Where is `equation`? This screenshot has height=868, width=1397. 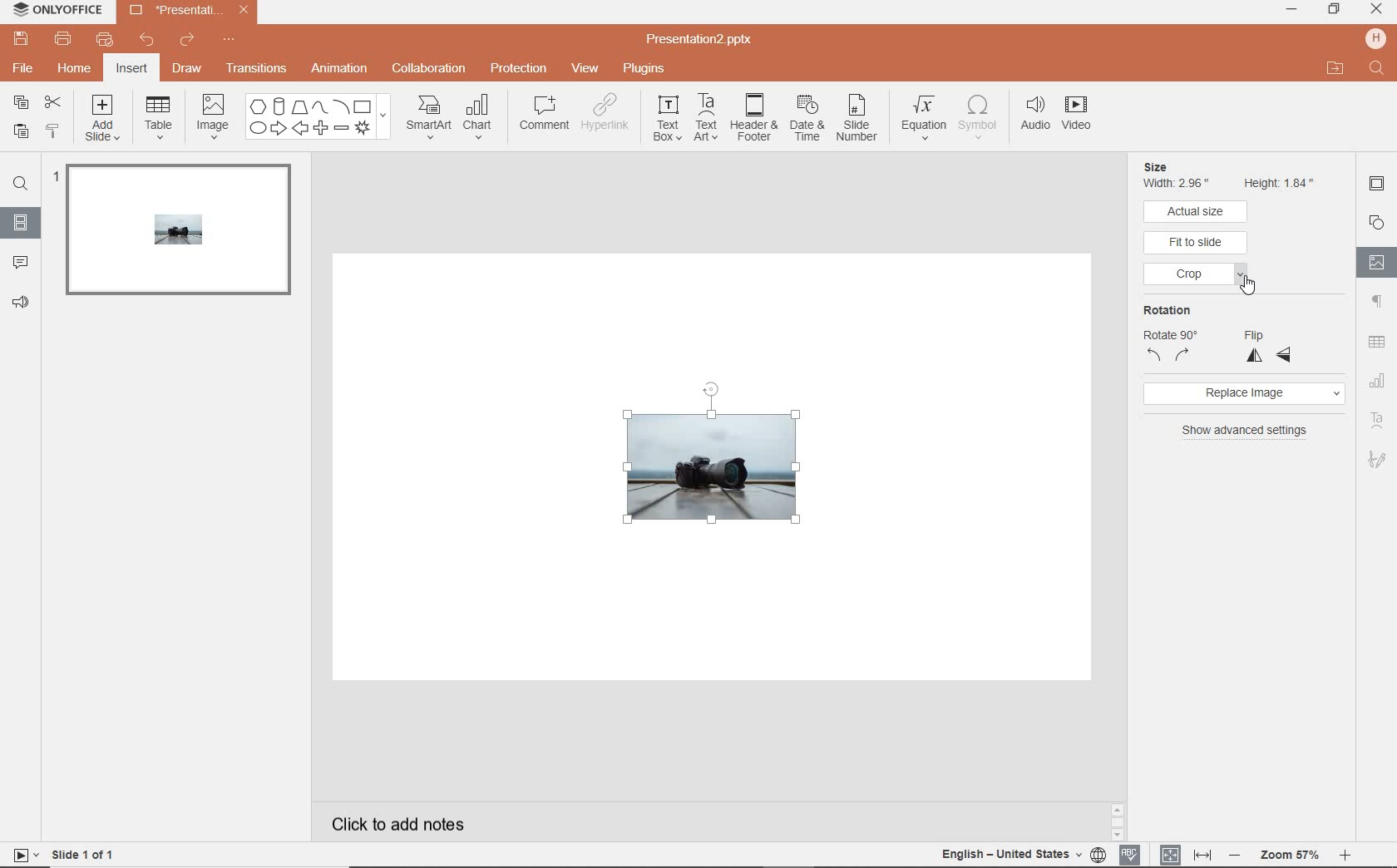
equation is located at coordinates (925, 114).